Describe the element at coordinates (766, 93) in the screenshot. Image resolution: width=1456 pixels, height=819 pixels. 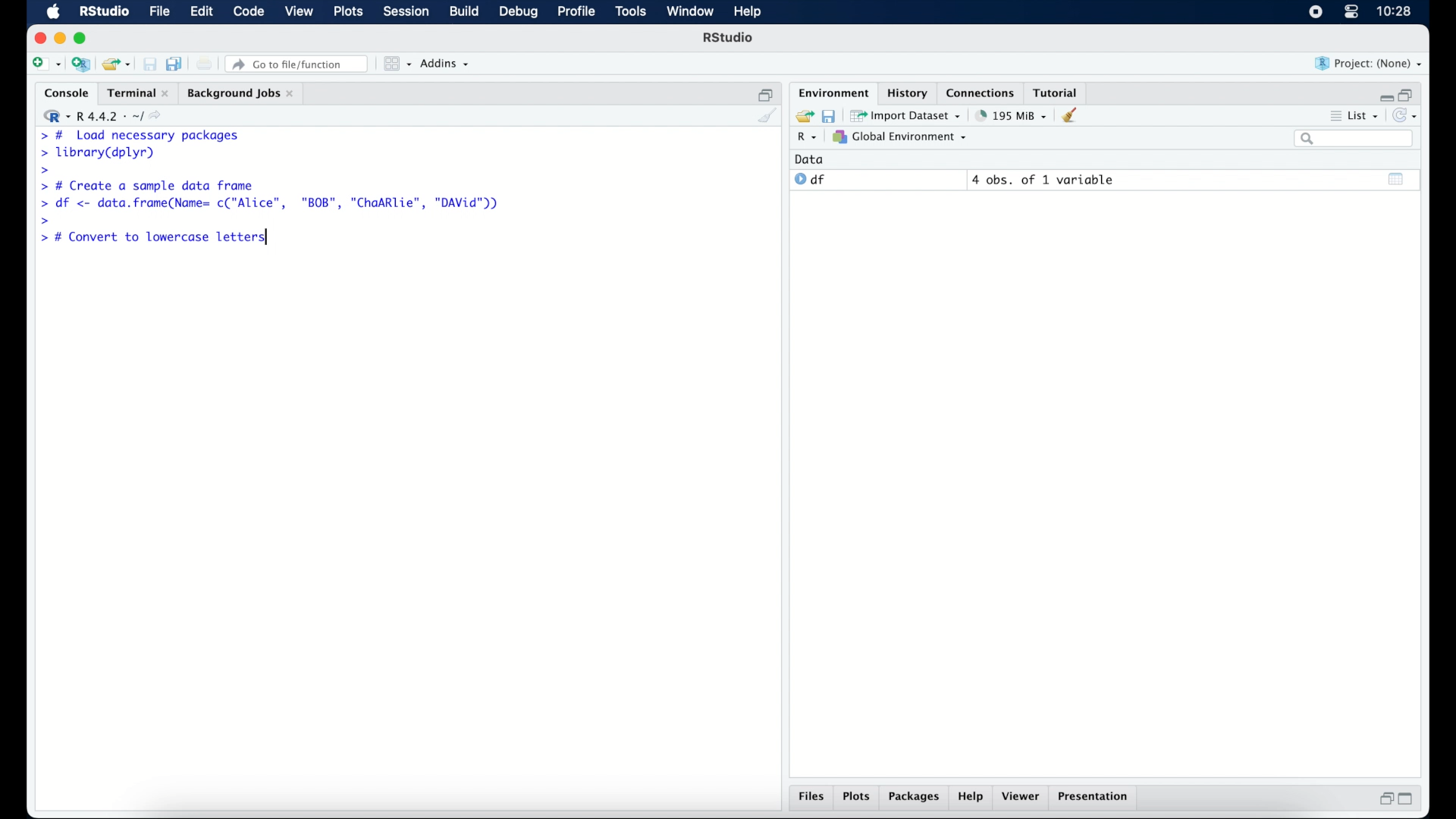
I see `restore down` at that location.